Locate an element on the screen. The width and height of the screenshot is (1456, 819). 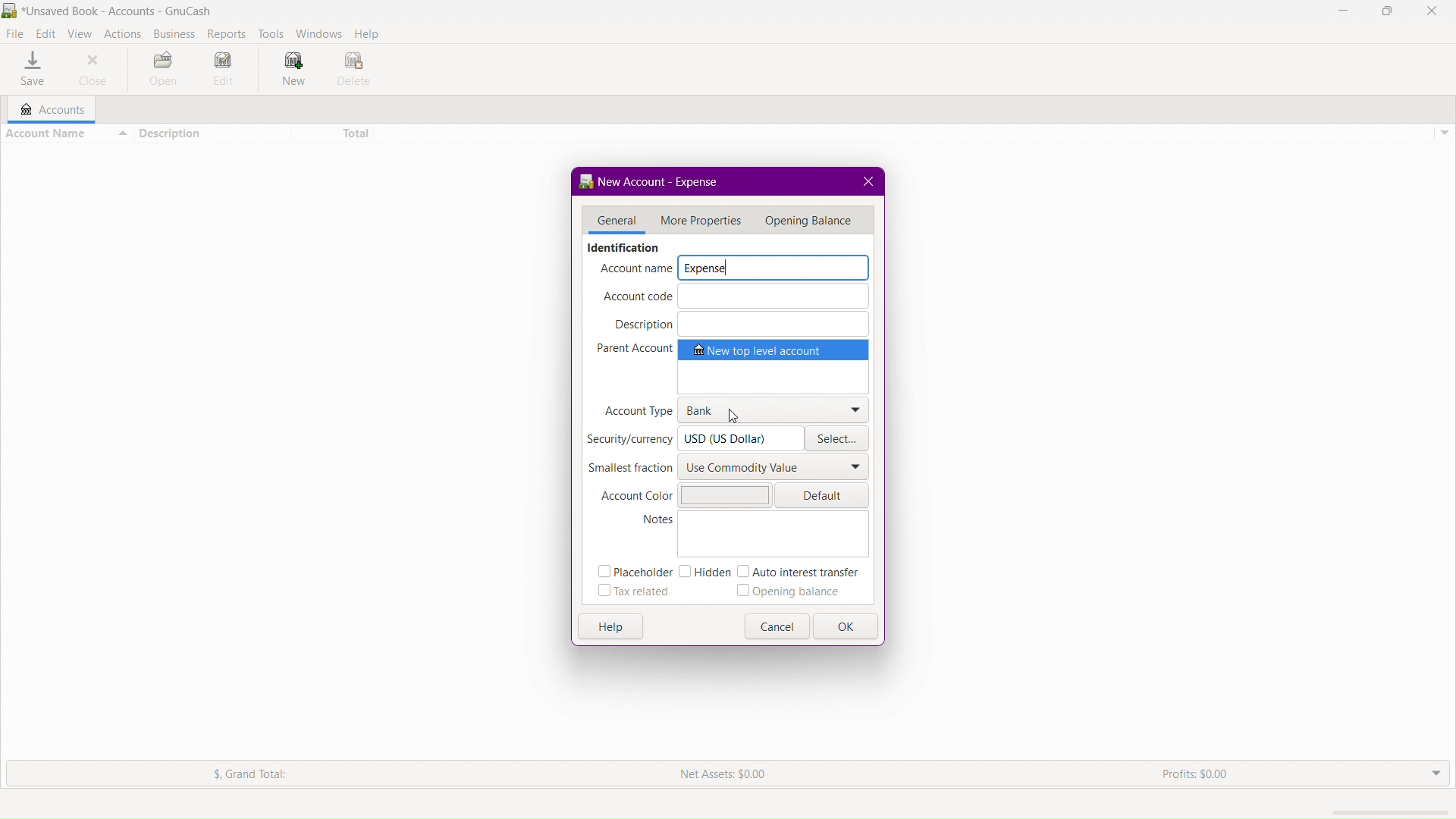
Account Code is located at coordinates (736, 297).